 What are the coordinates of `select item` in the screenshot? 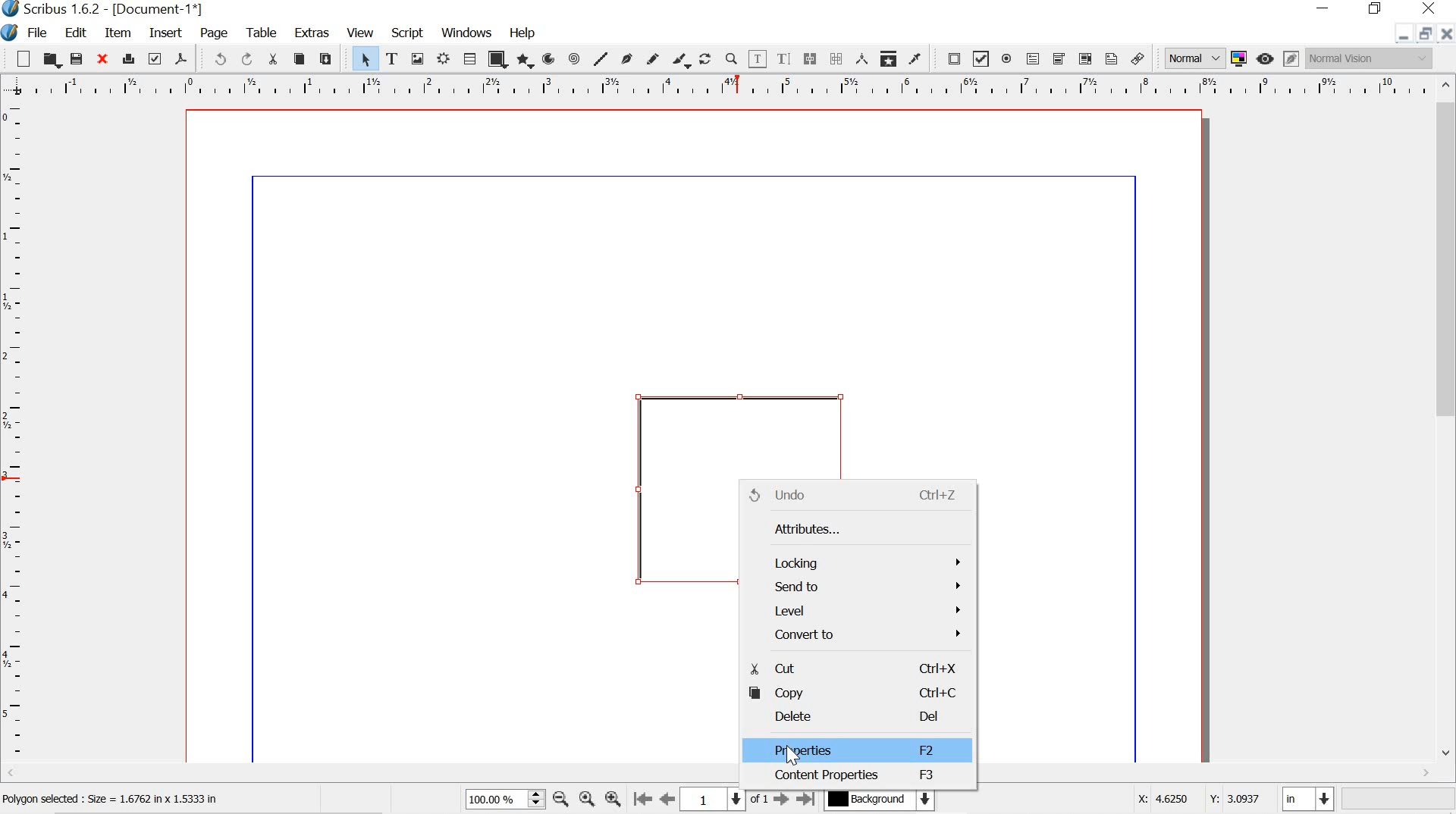 It's located at (366, 59).